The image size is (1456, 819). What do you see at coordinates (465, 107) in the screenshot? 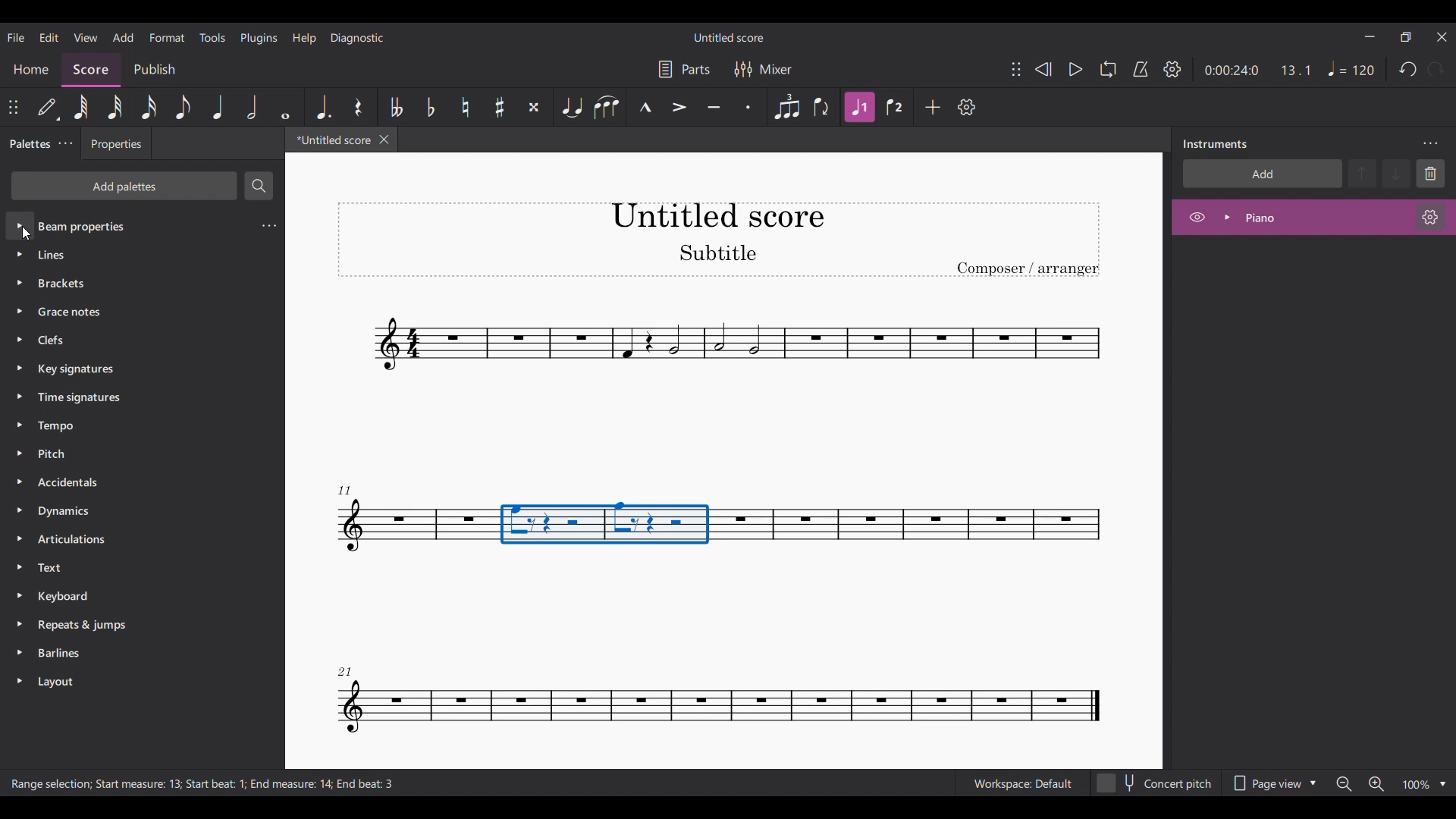
I see `Toggle natural` at bounding box center [465, 107].